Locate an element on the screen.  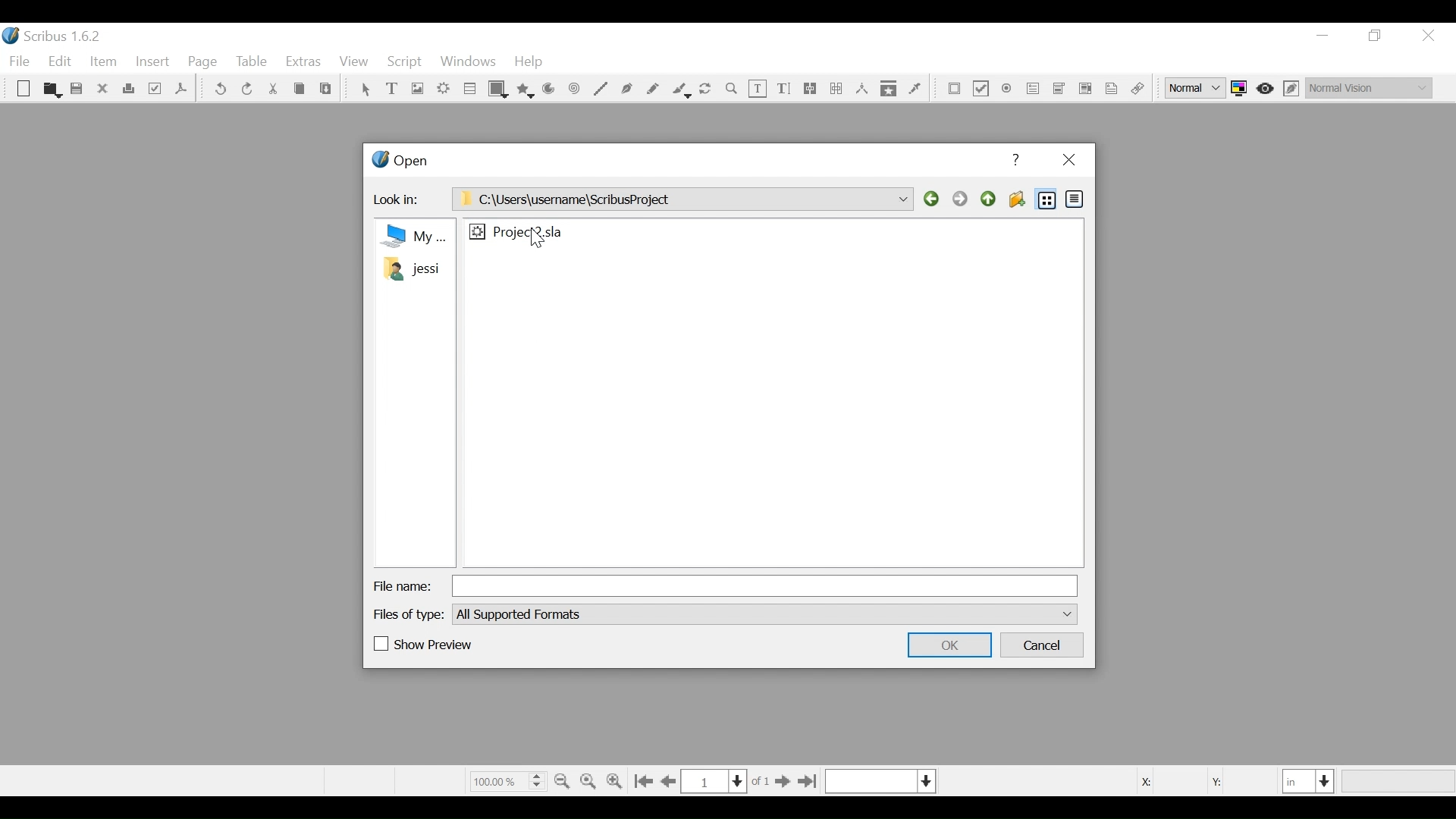
Eye dropper is located at coordinates (915, 88).